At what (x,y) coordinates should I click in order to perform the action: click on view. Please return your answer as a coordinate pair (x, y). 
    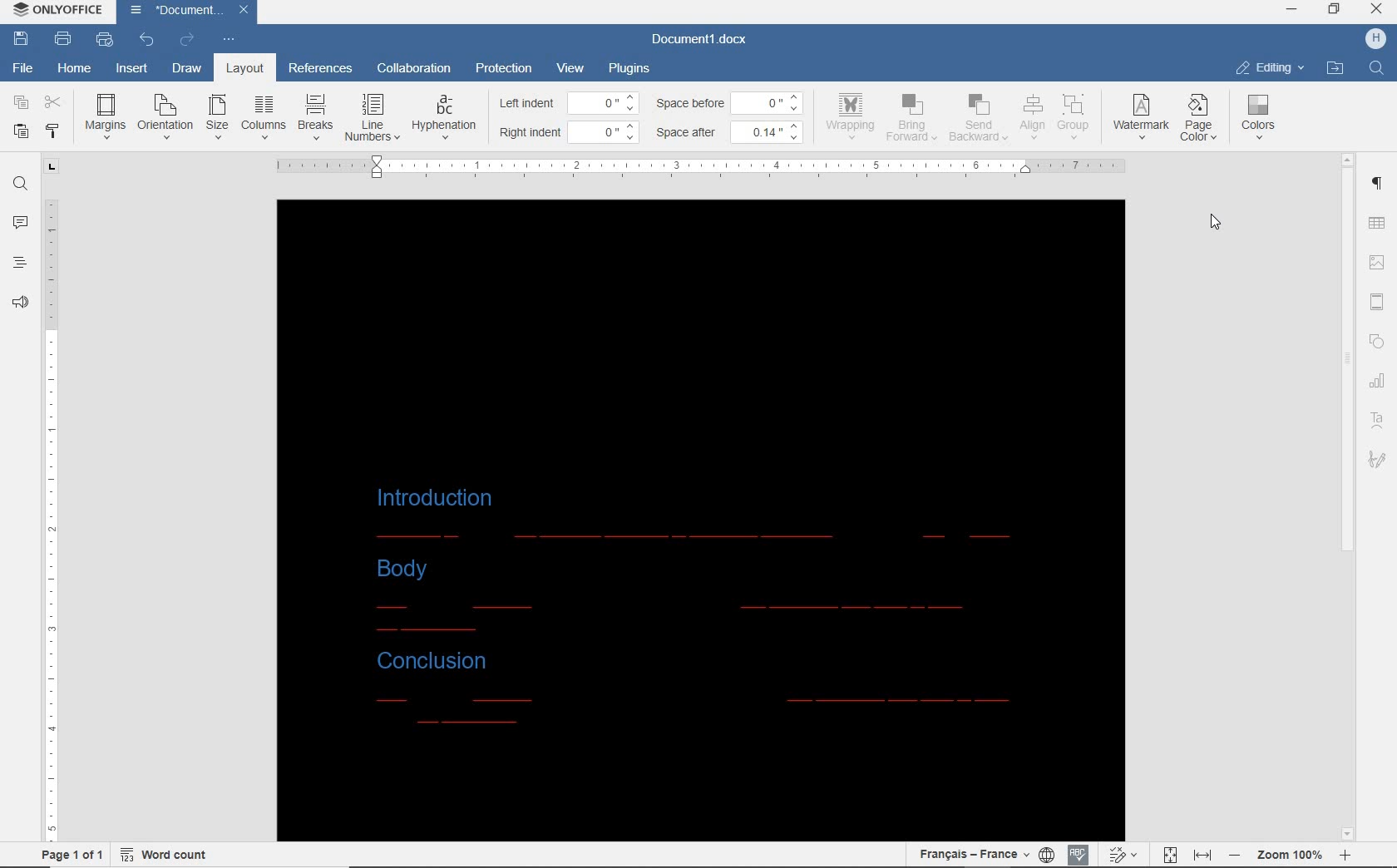
    Looking at the image, I should click on (573, 68).